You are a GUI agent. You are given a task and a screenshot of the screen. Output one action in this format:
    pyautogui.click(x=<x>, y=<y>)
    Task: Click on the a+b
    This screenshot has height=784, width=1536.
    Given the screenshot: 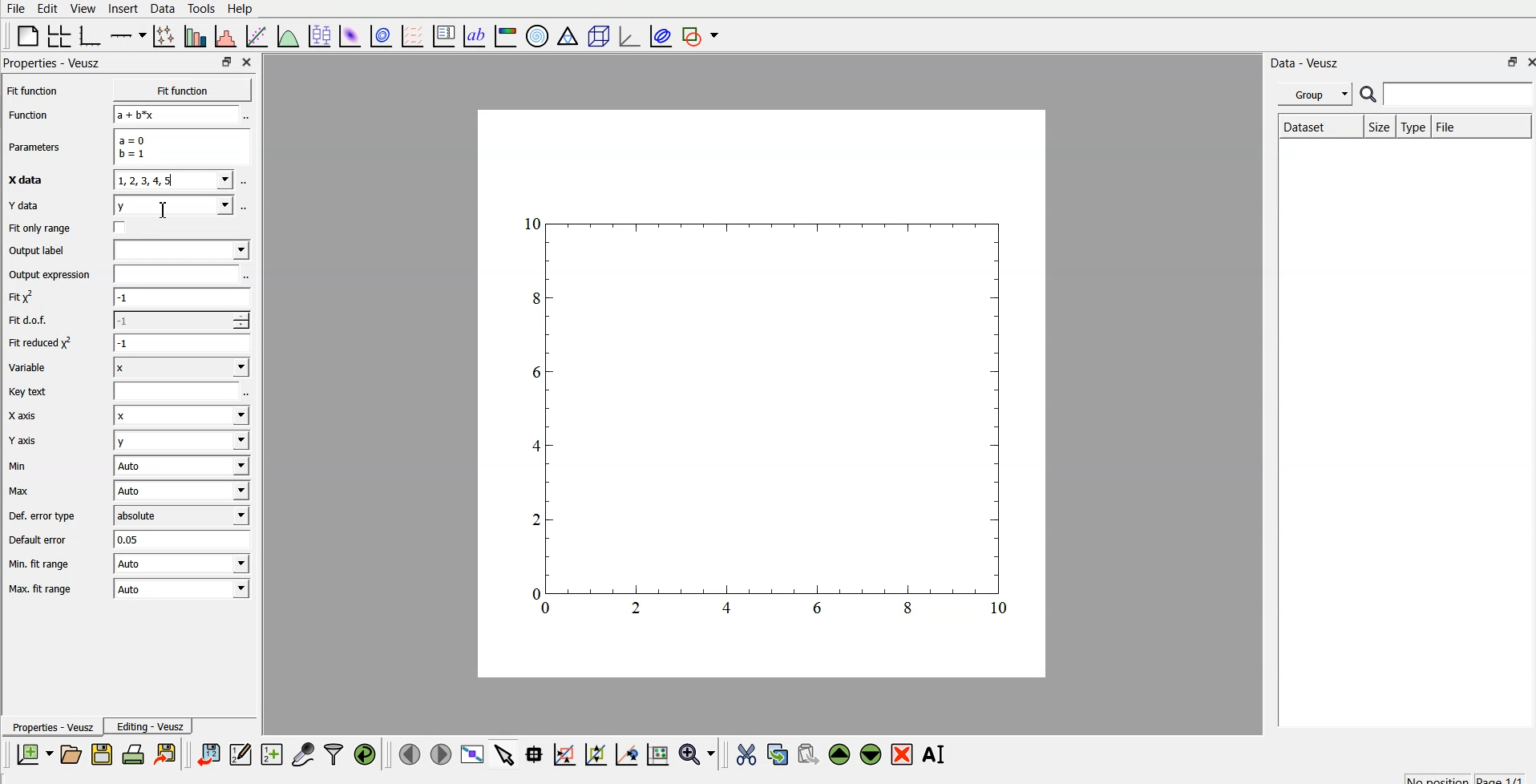 What is the action you would take?
    pyautogui.click(x=175, y=115)
    